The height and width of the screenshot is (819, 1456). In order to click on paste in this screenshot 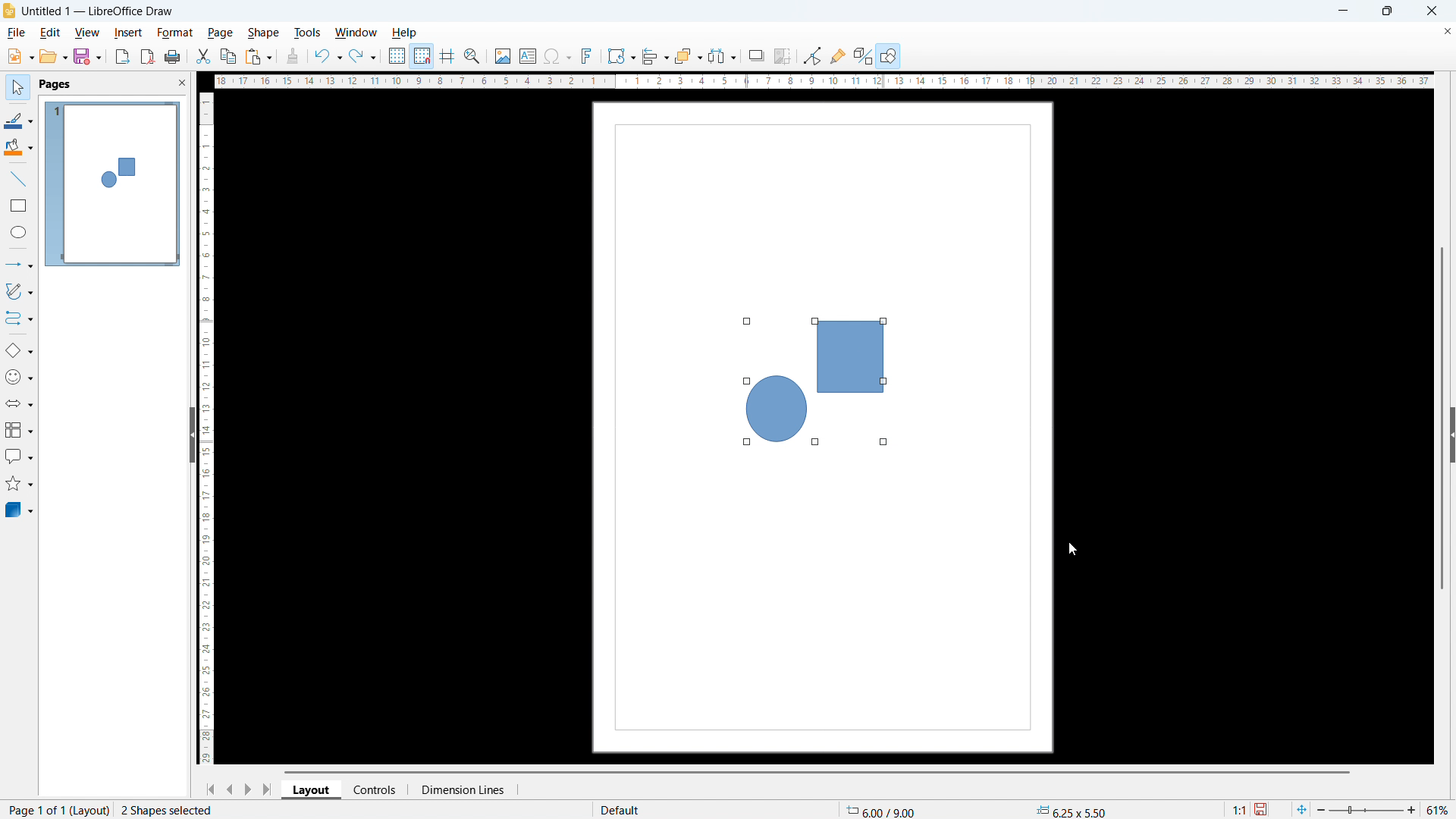, I will do `click(260, 57)`.